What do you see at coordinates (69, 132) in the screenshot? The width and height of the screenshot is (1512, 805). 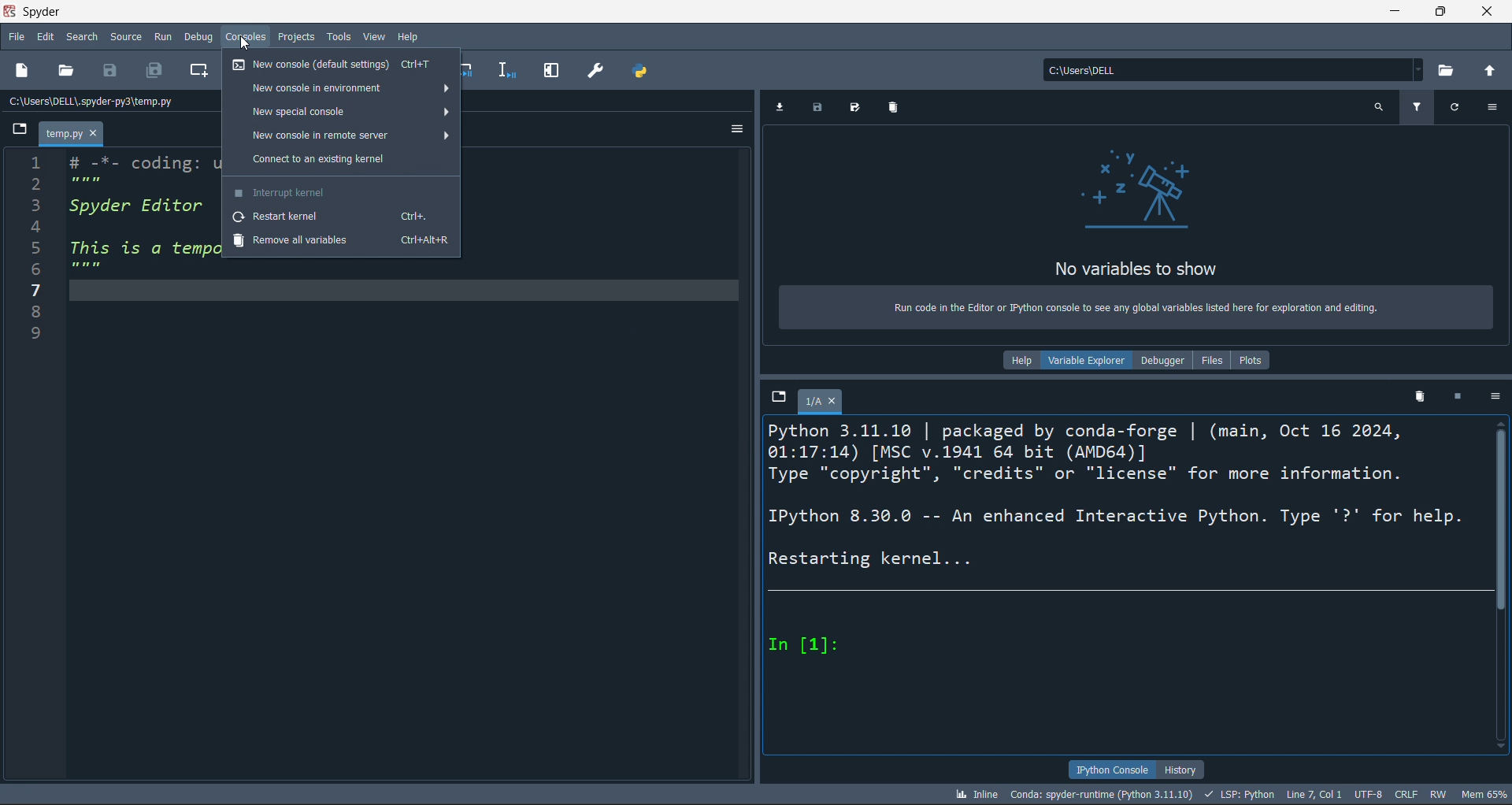 I see `temp.py` at bounding box center [69, 132].